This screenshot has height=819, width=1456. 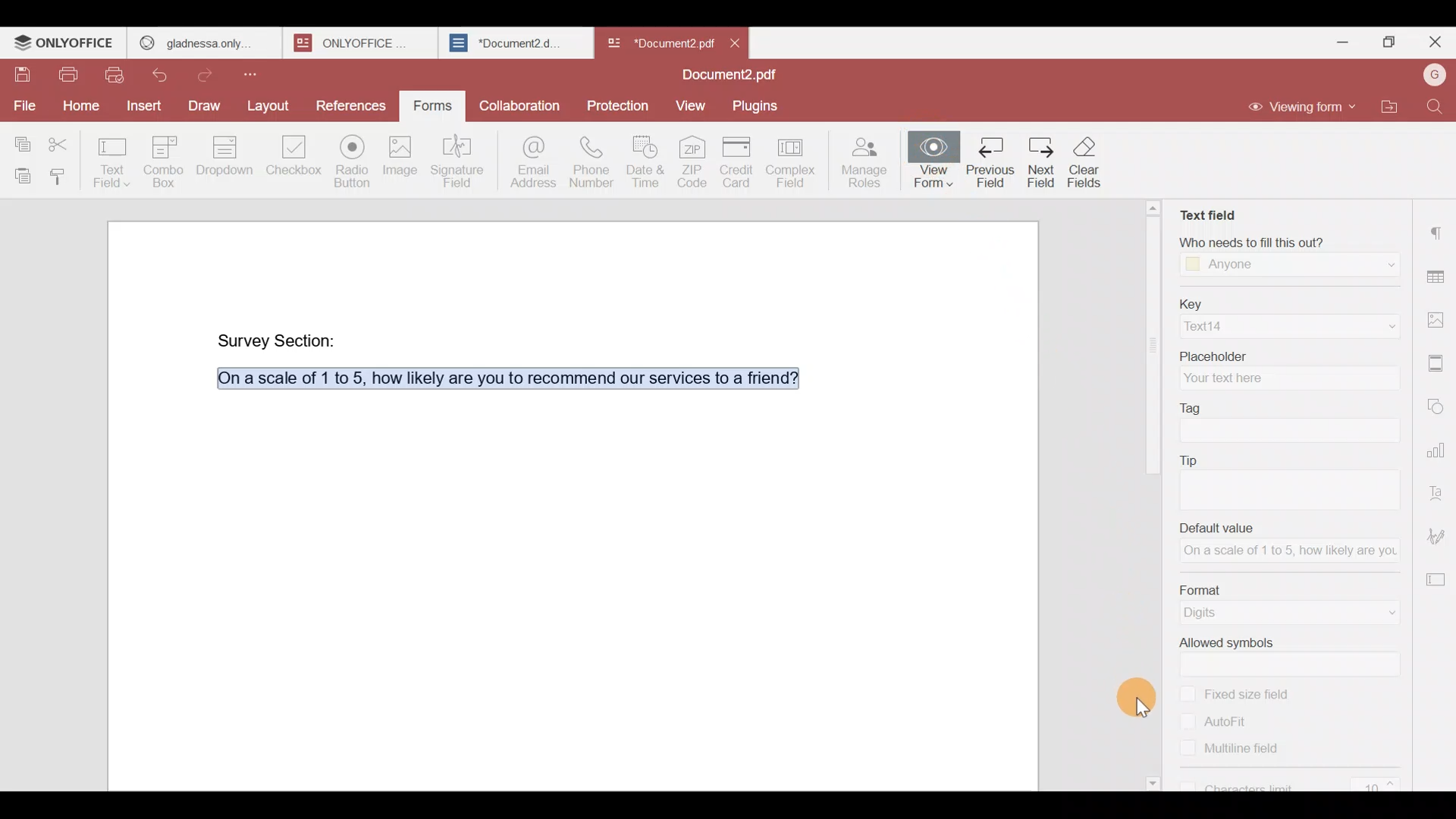 I want to click on References, so click(x=350, y=102).